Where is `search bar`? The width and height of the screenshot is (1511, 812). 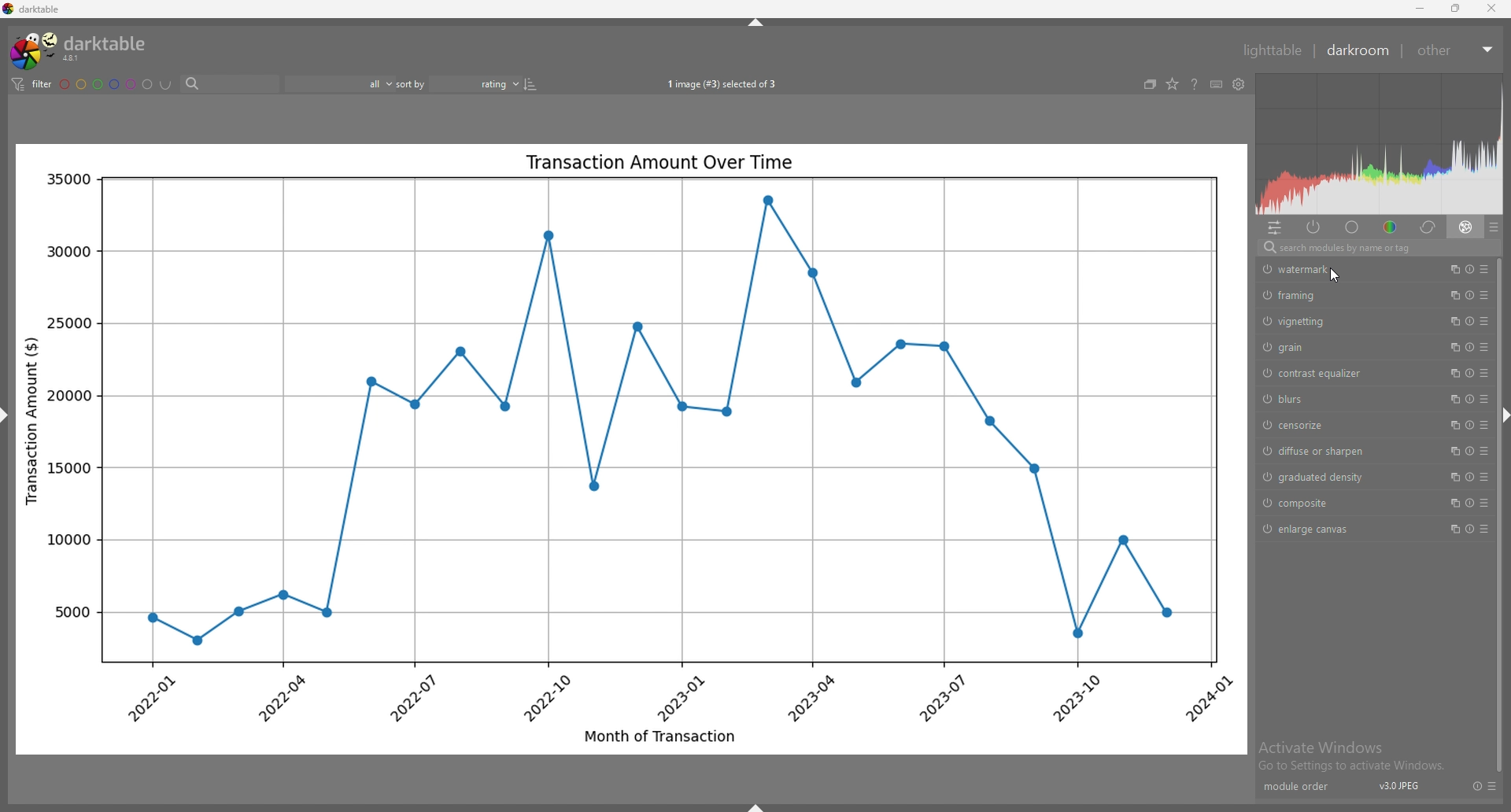 search bar is located at coordinates (226, 85).